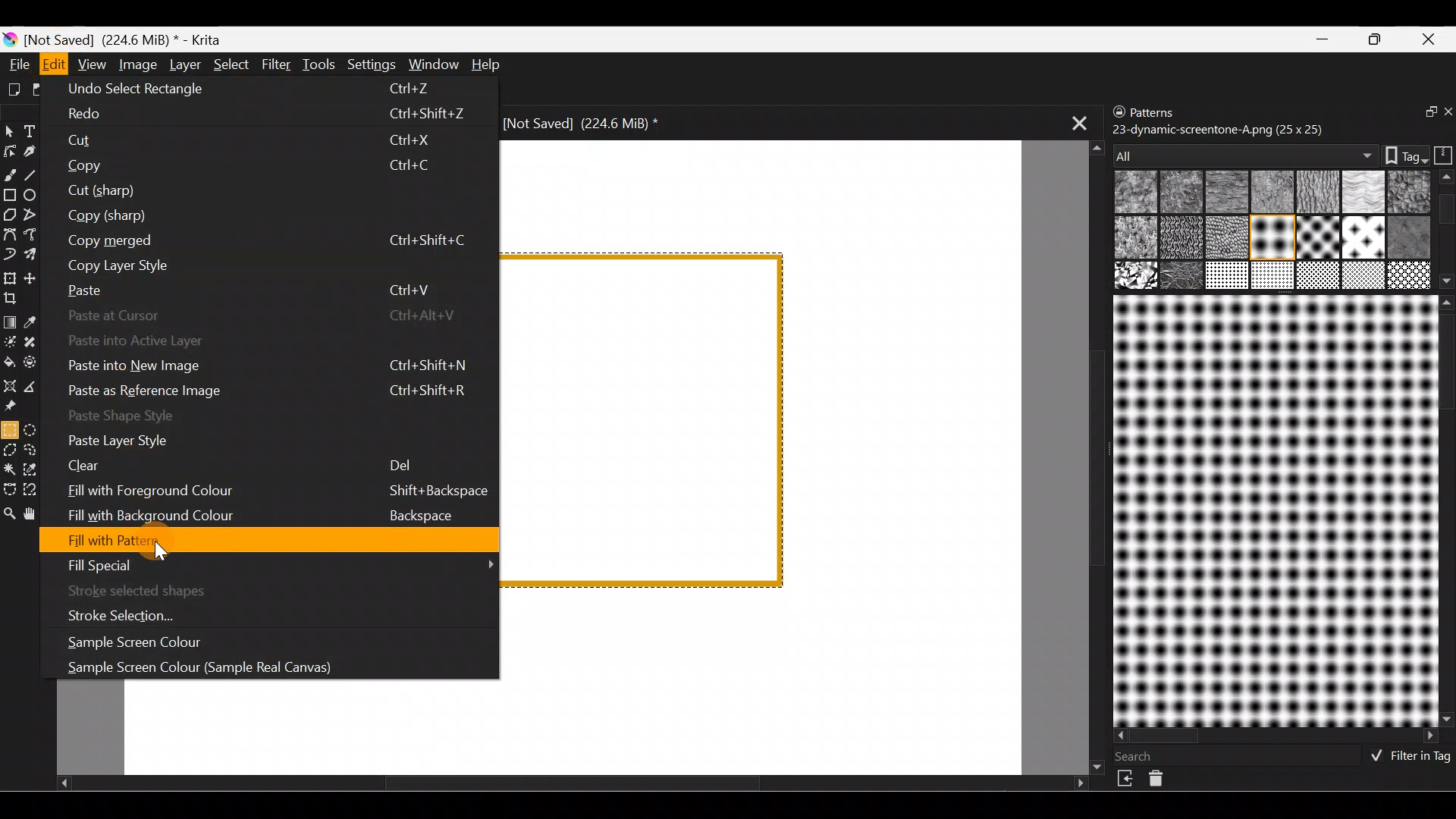  Describe the element at coordinates (1228, 277) in the screenshot. I see `16 Texture_woody.png` at that location.